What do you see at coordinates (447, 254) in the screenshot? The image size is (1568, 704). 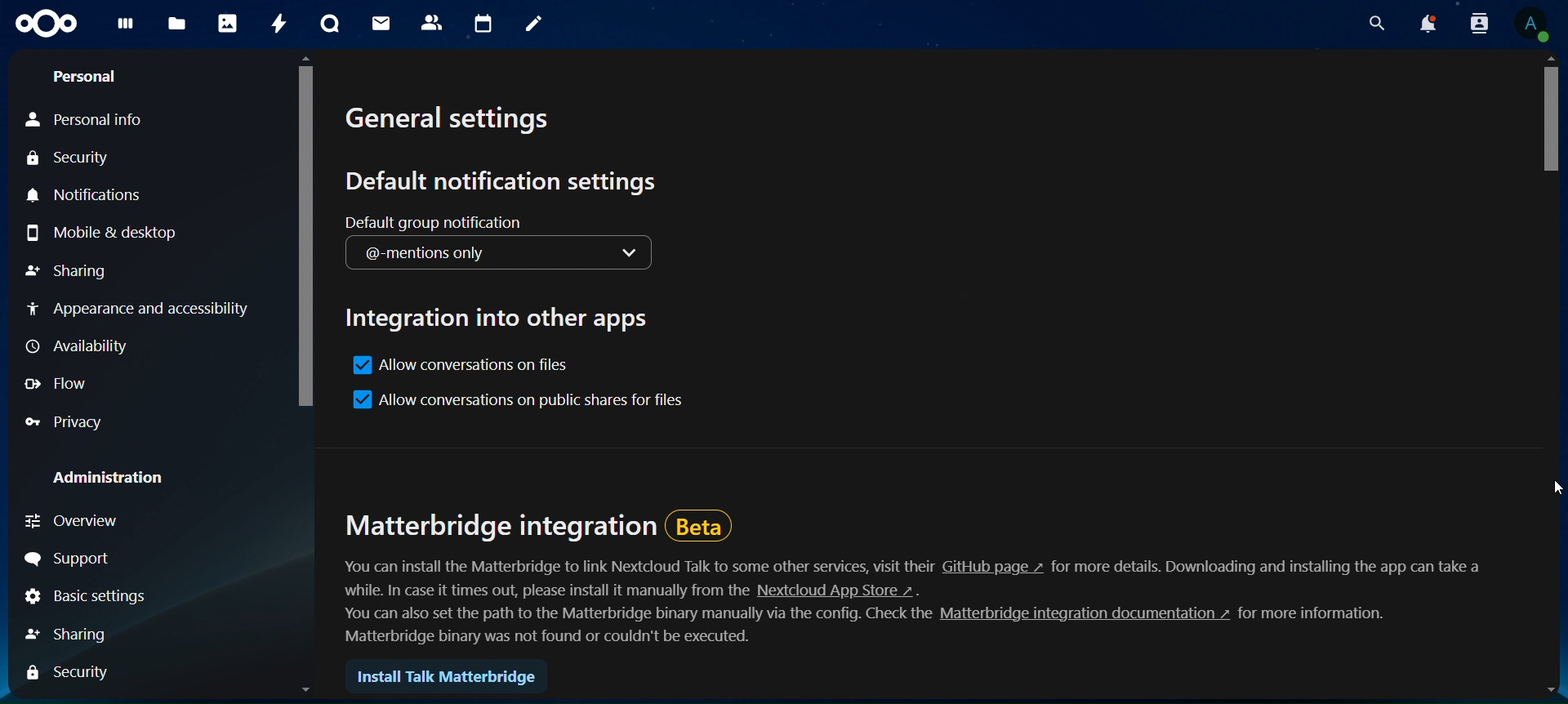 I see `@-mentions only` at bounding box center [447, 254].